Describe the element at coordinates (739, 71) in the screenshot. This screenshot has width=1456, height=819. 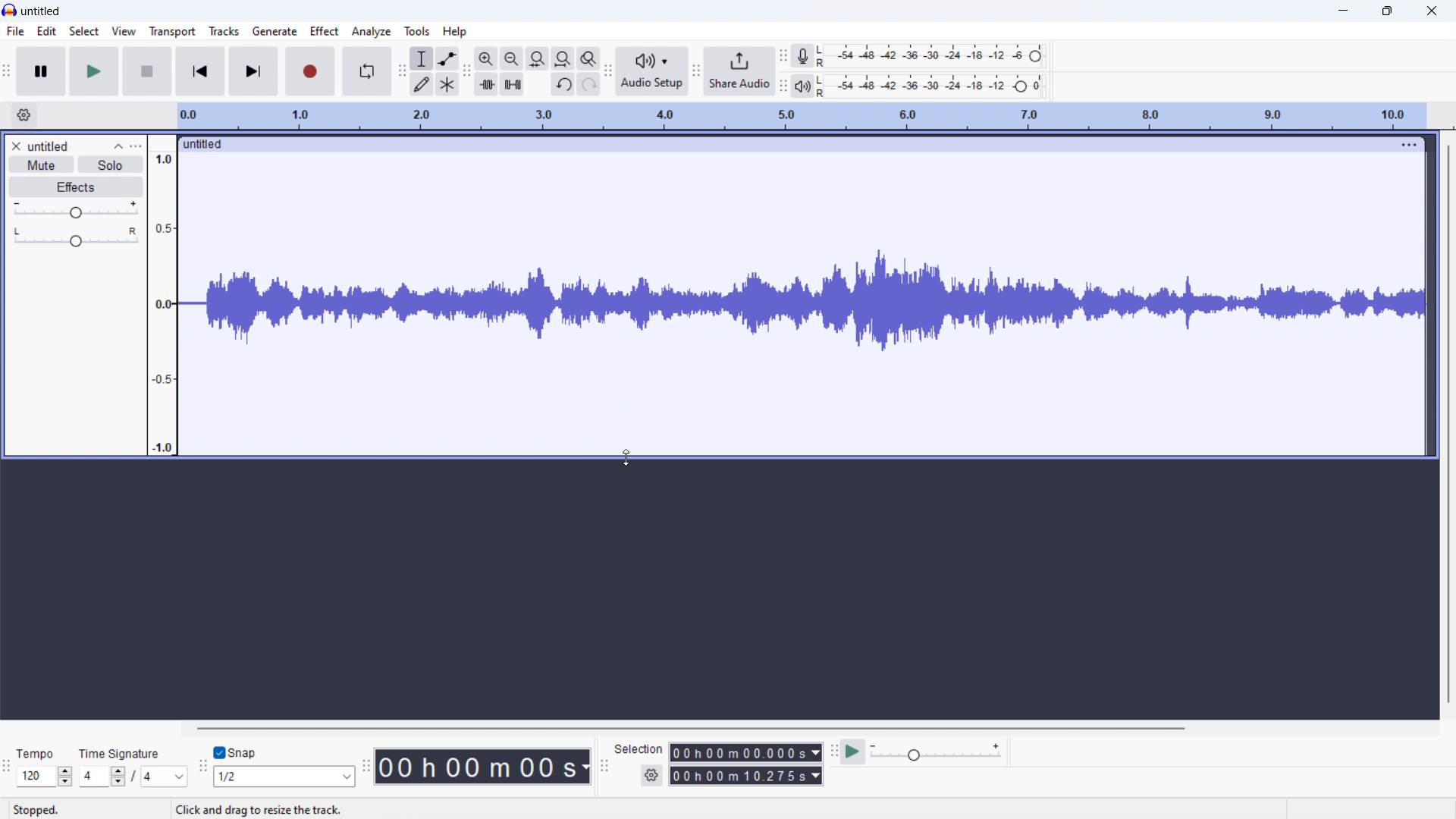
I see `share audio` at that location.